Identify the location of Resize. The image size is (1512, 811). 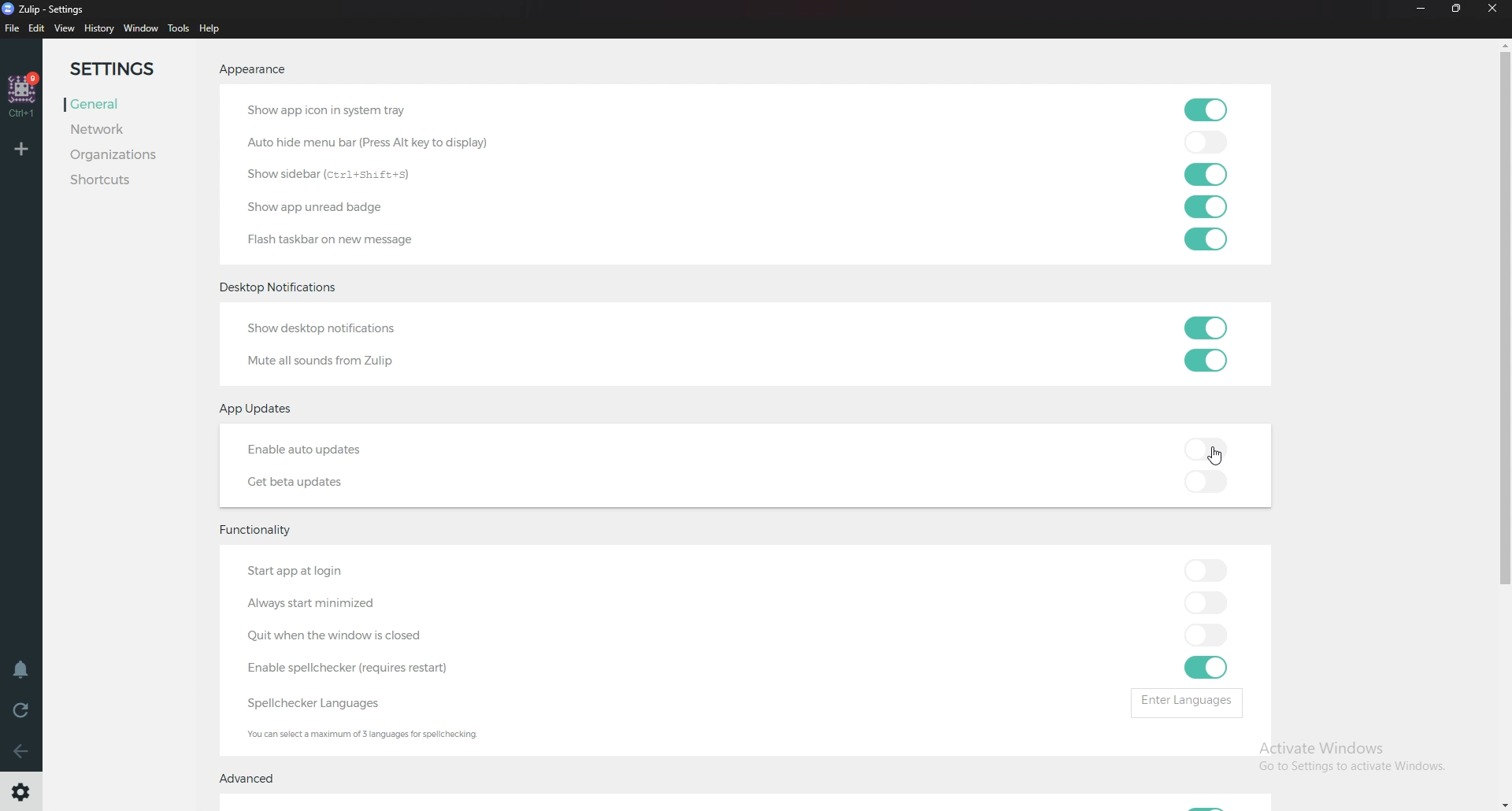
(1458, 9).